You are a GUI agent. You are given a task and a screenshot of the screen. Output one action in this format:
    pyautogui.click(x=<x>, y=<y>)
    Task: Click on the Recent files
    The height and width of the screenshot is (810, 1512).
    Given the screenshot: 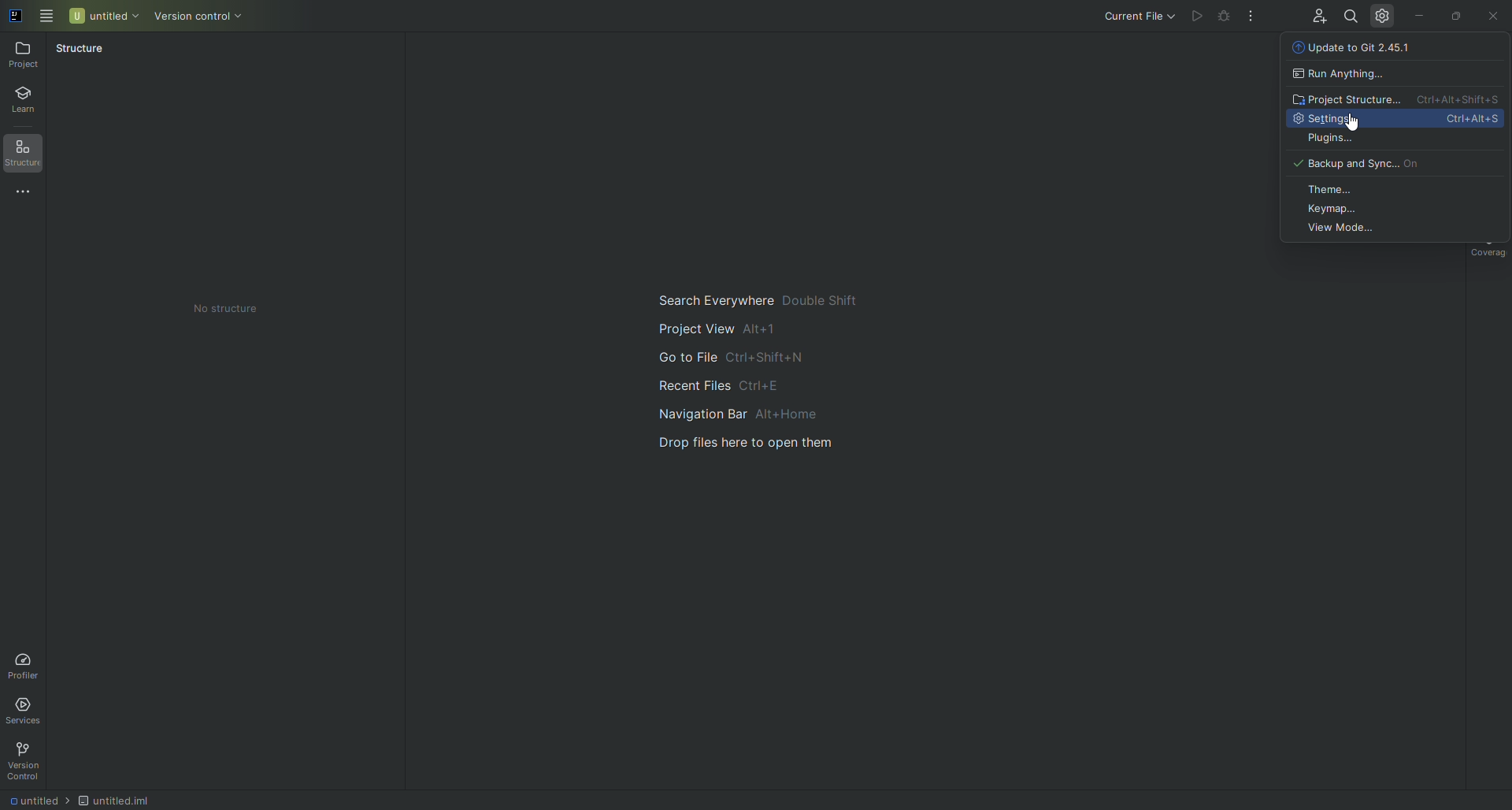 What is the action you would take?
    pyautogui.click(x=767, y=388)
    